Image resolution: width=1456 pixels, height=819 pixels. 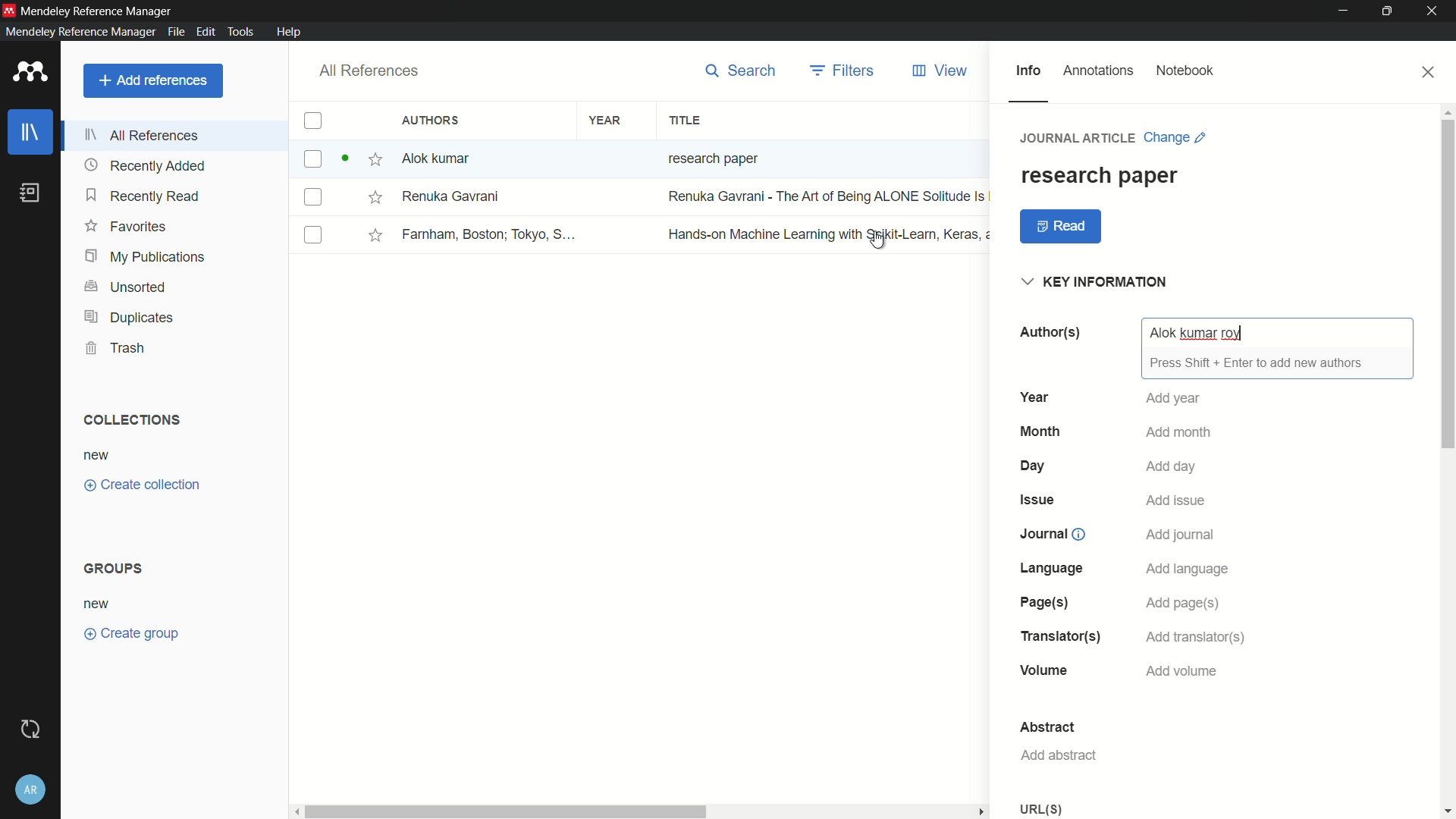 What do you see at coordinates (33, 728) in the screenshot?
I see `sync` at bounding box center [33, 728].